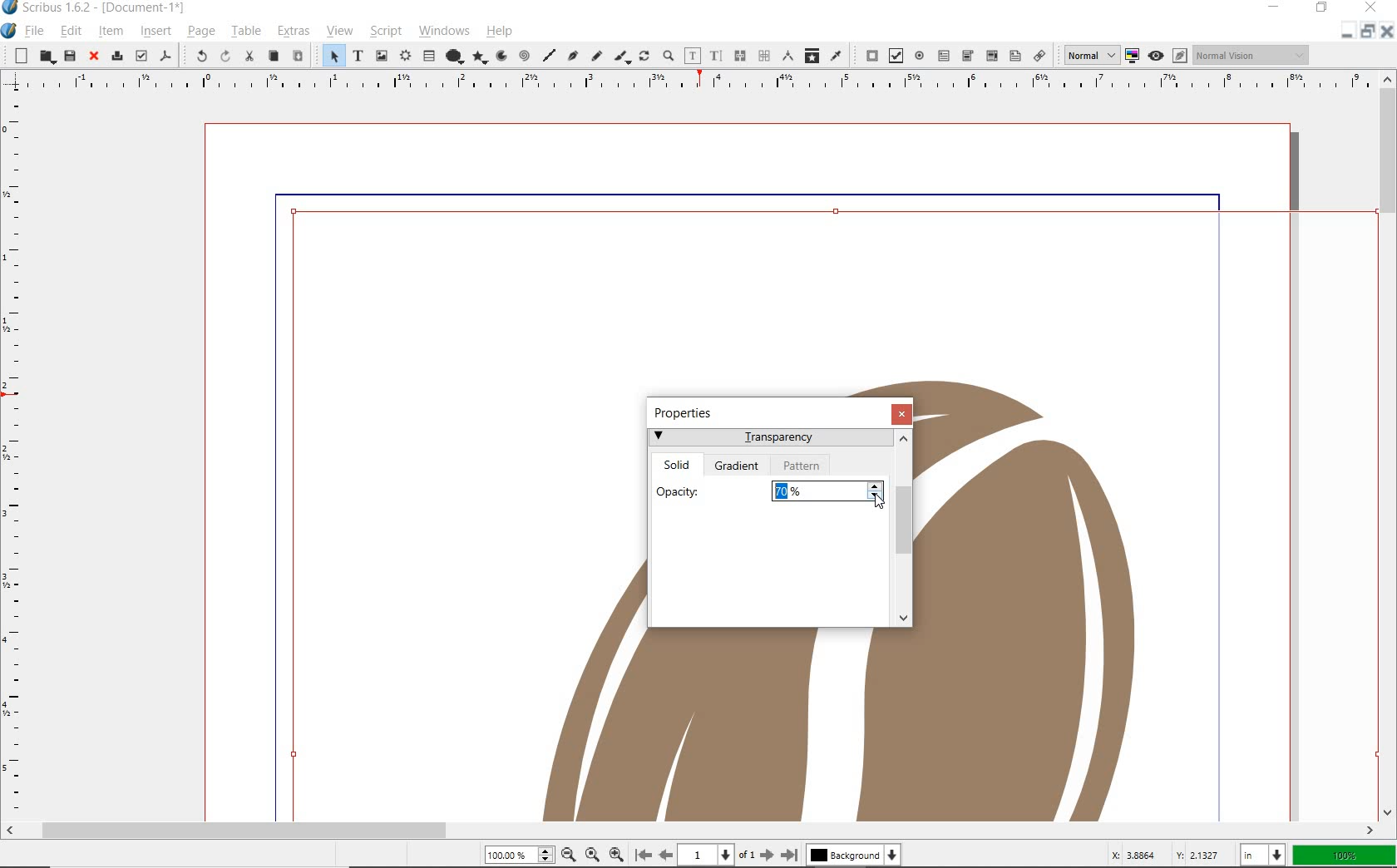 This screenshot has width=1397, height=868. Describe the element at coordinates (789, 56) in the screenshot. I see `measurements` at that location.